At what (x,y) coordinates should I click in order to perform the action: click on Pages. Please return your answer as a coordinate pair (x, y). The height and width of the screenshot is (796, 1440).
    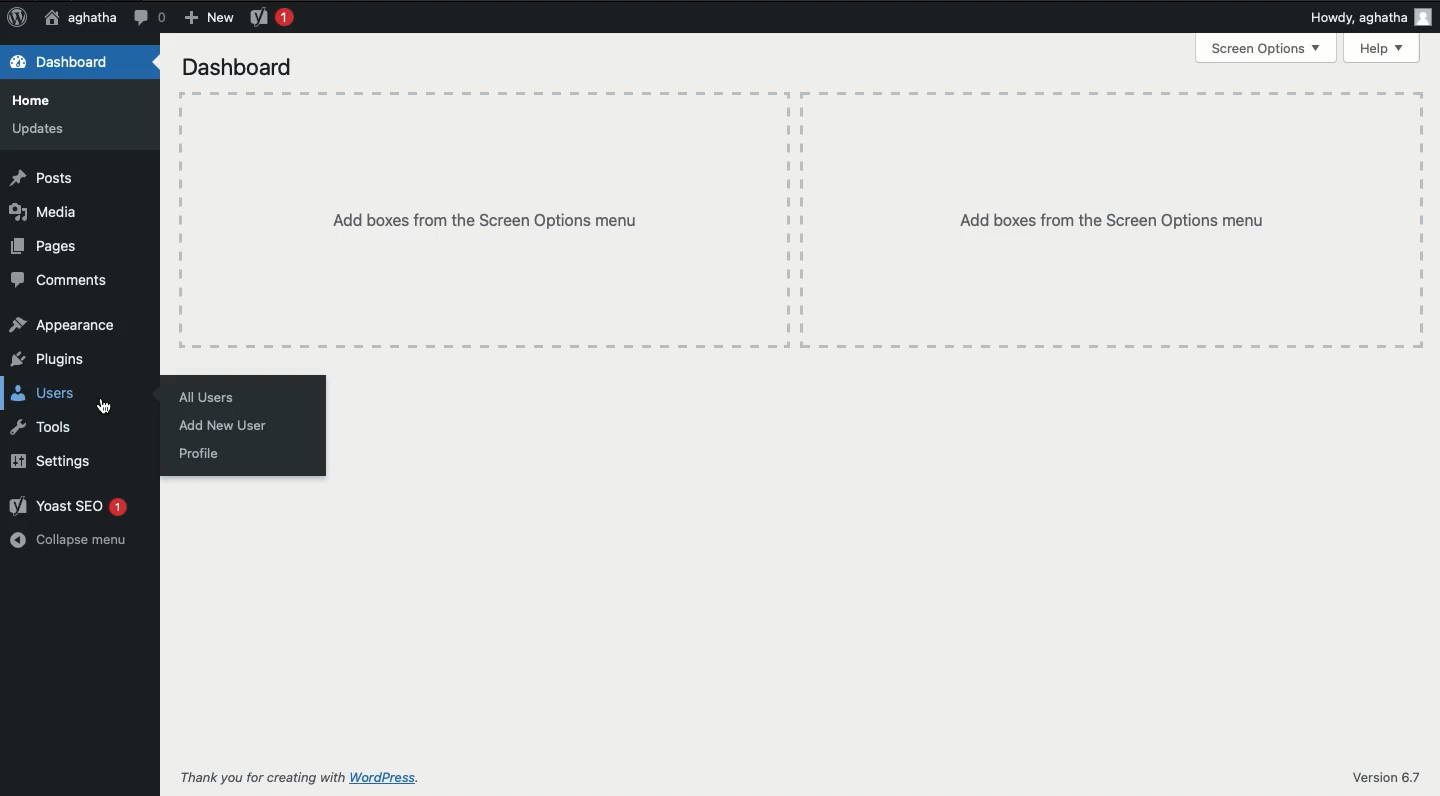
    Looking at the image, I should click on (44, 245).